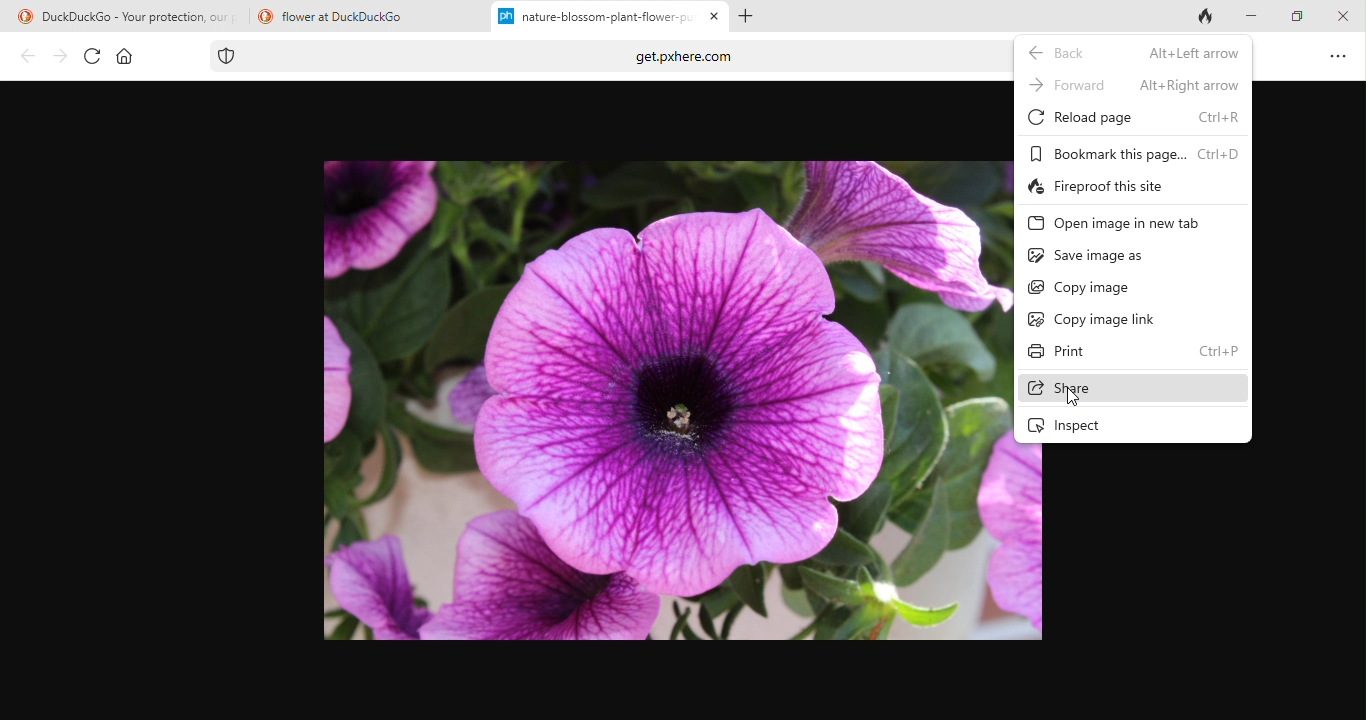 This screenshot has height=720, width=1366. Describe the element at coordinates (1085, 426) in the screenshot. I see `inspect` at that location.